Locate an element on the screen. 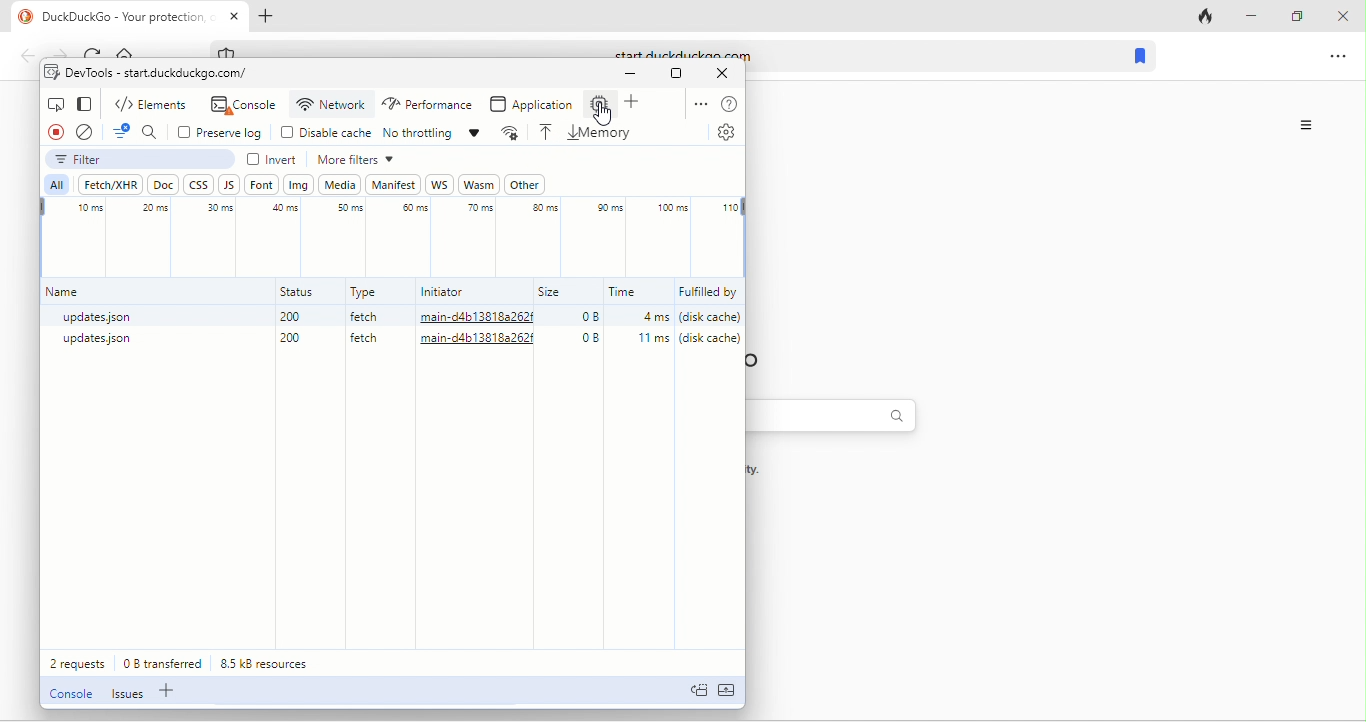 The height and width of the screenshot is (722, 1366). 0B is located at coordinates (590, 318).